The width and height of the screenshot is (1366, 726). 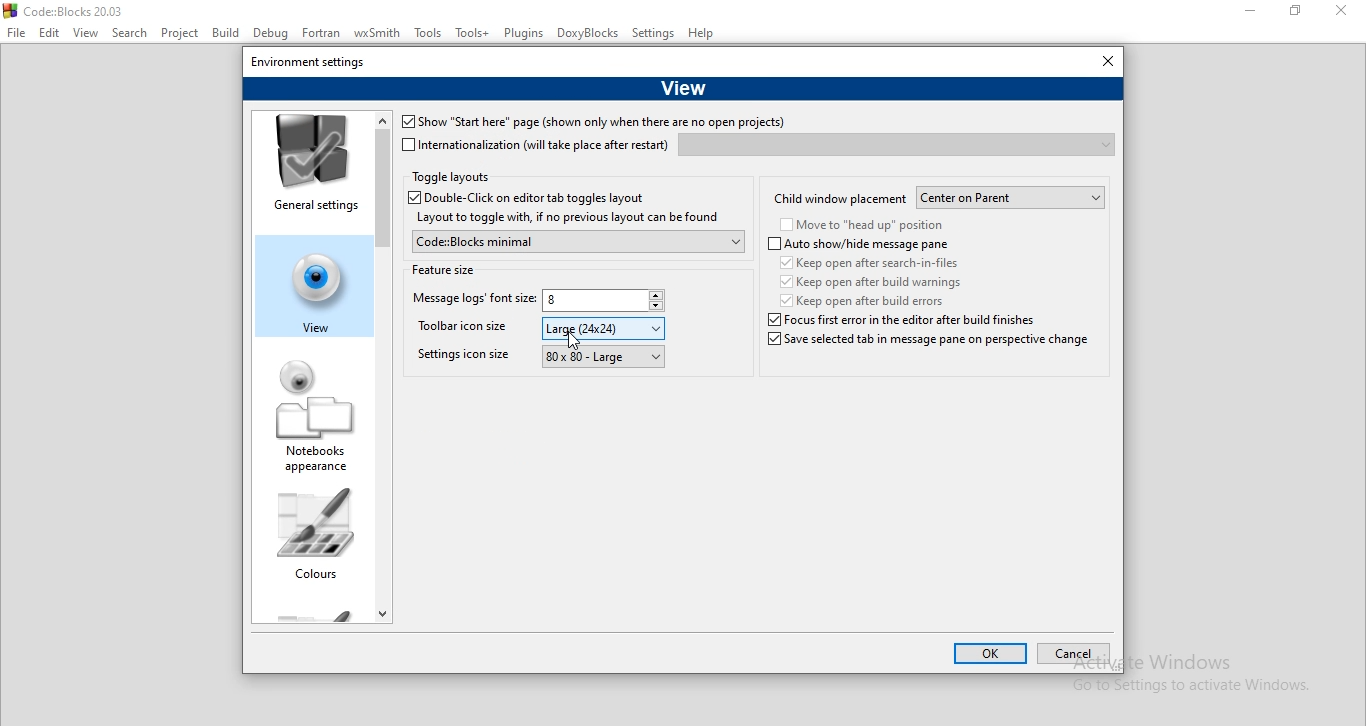 What do you see at coordinates (840, 197) in the screenshot?
I see `Child window placement` at bounding box center [840, 197].